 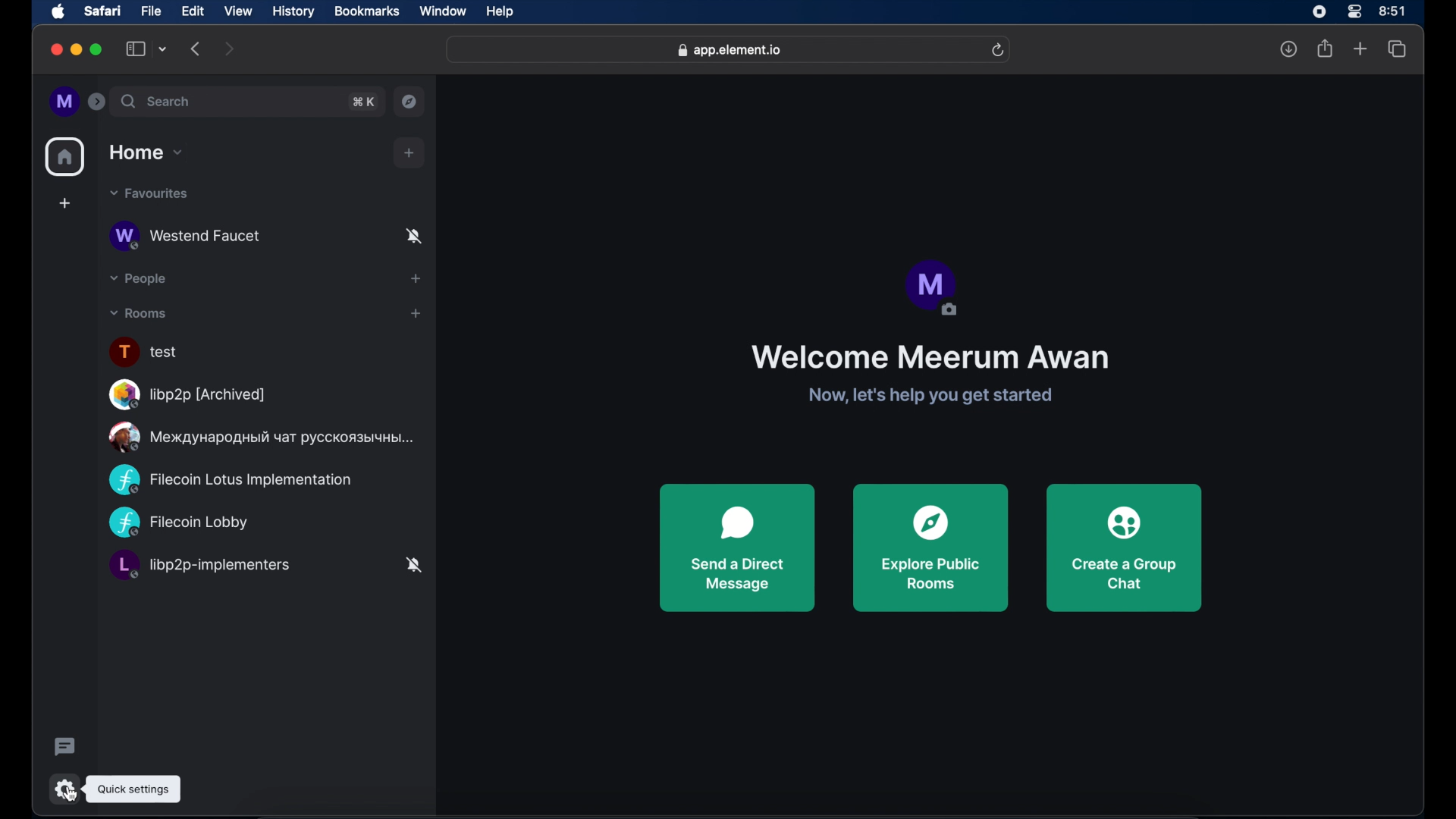 I want to click on cursor, so click(x=69, y=788).